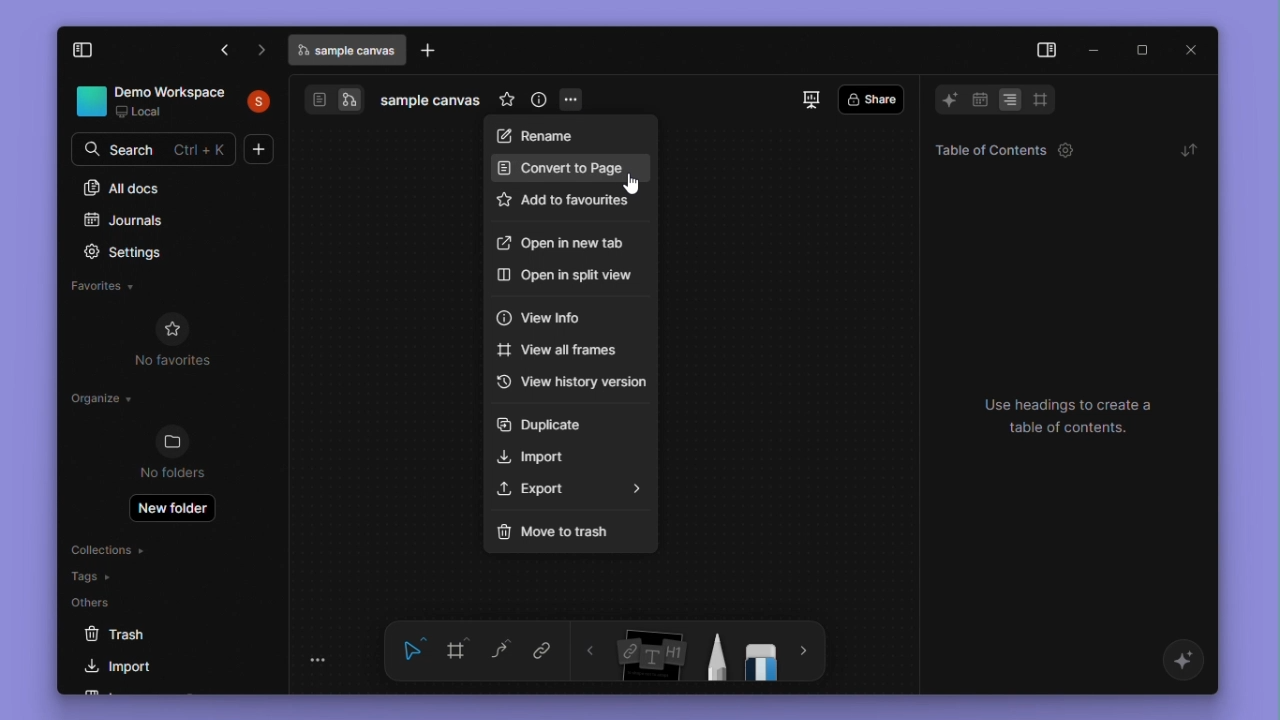 The image size is (1280, 720). Describe the element at coordinates (1095, 47) in the screenshot. I see `Minimise` at that location.